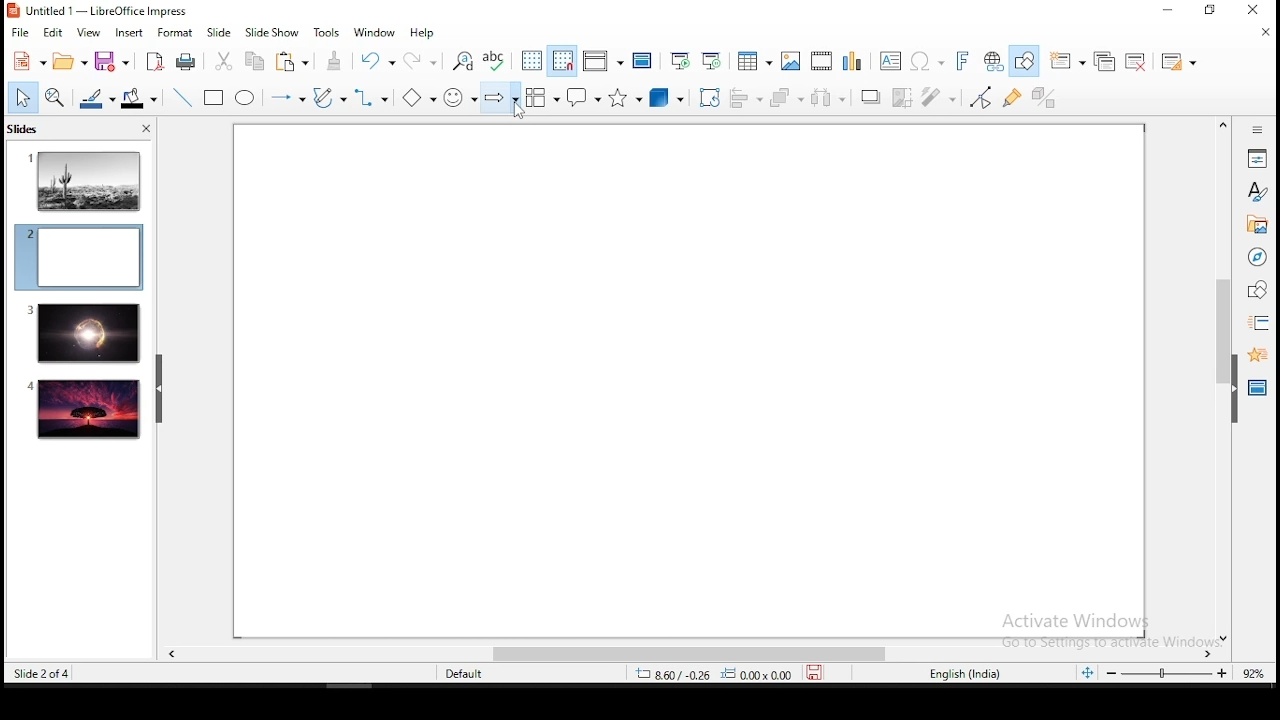 The width and height of the screenshot is (1280, 720). I want to click on file, so click(20, 33).